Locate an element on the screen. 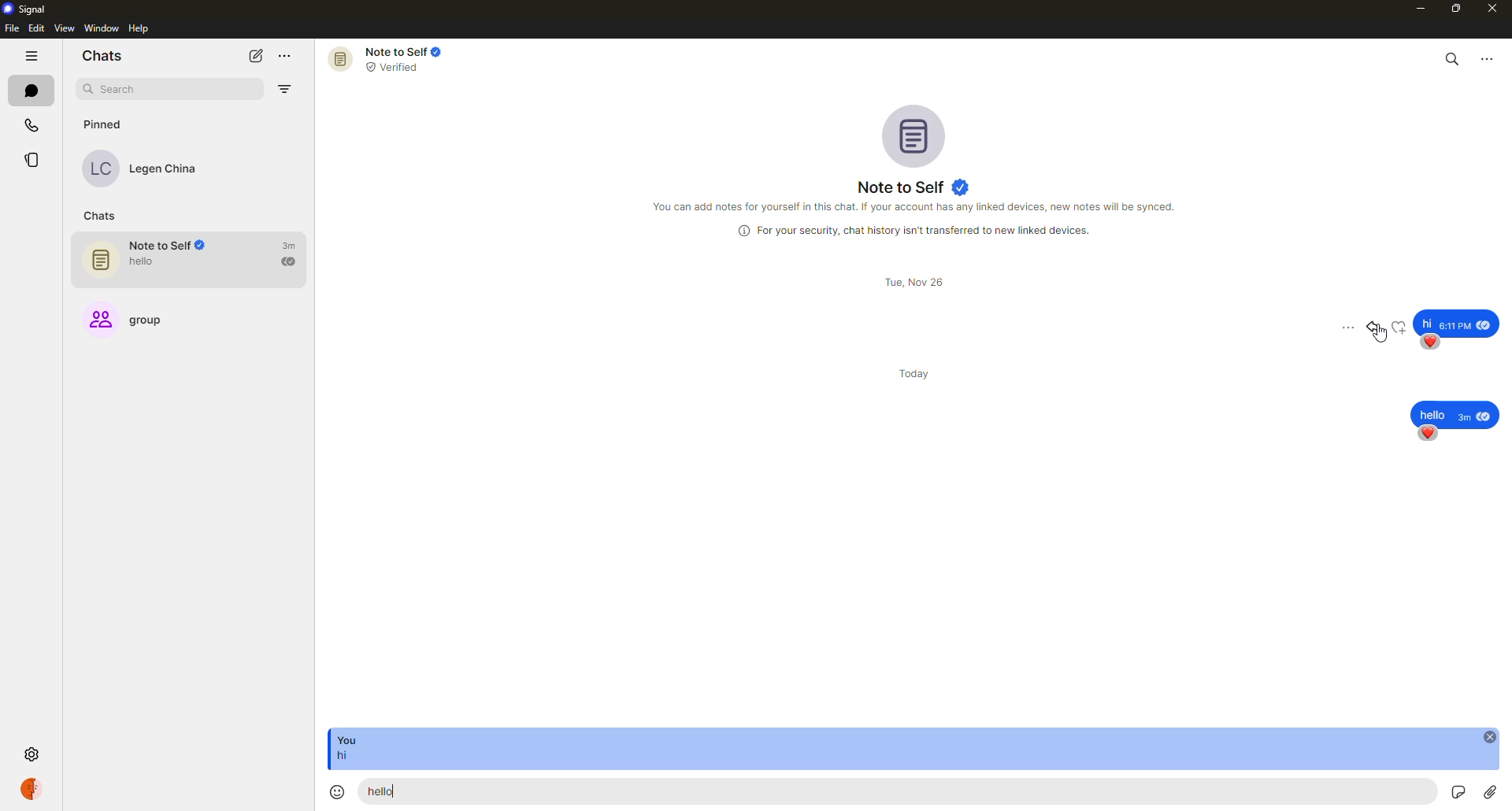 This screenshot has width=1512, height=811. note to self is located at coordinates (196, 261).